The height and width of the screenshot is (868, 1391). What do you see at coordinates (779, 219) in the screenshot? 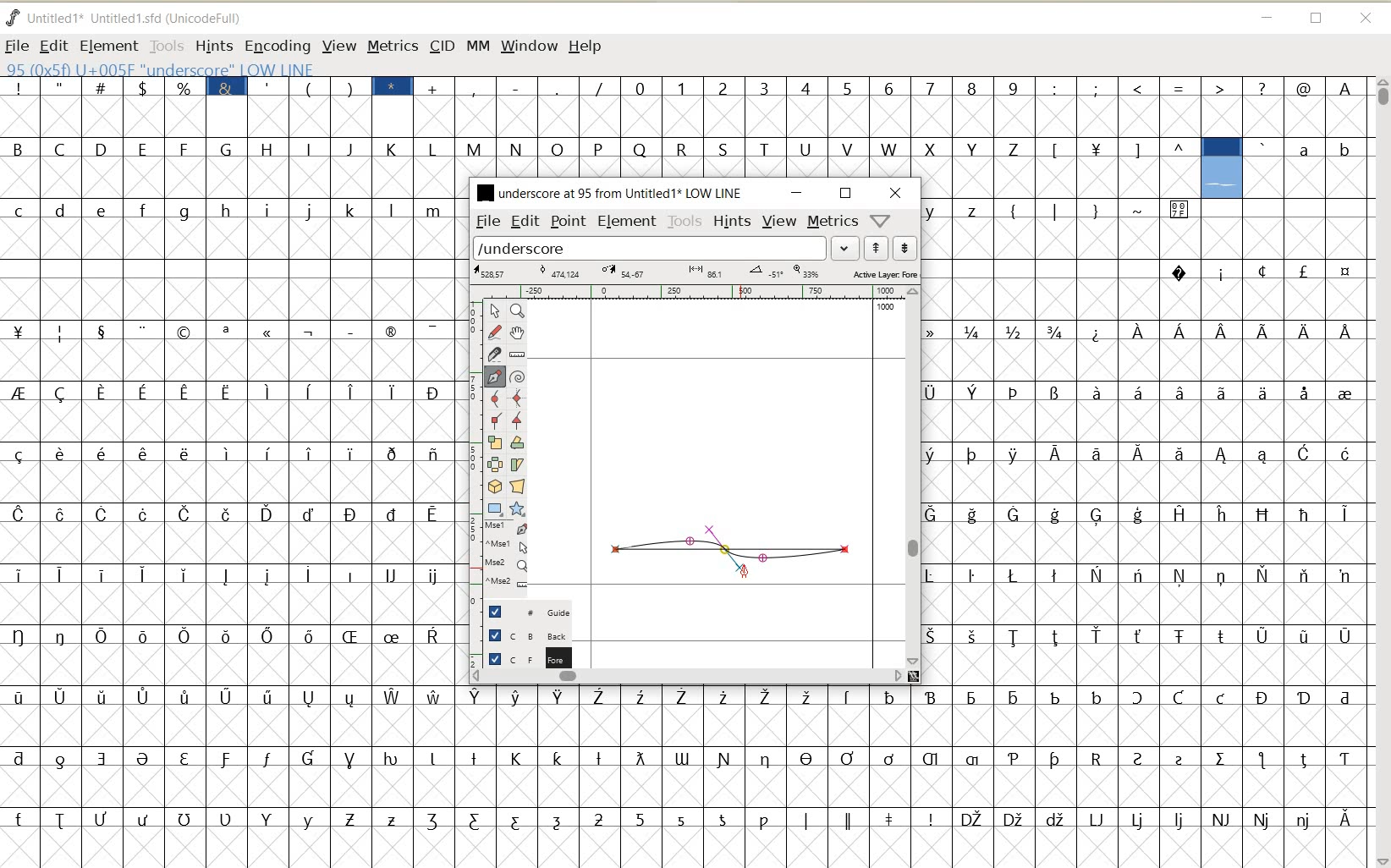
I see `VIEW` at bounding box center [779, 219].